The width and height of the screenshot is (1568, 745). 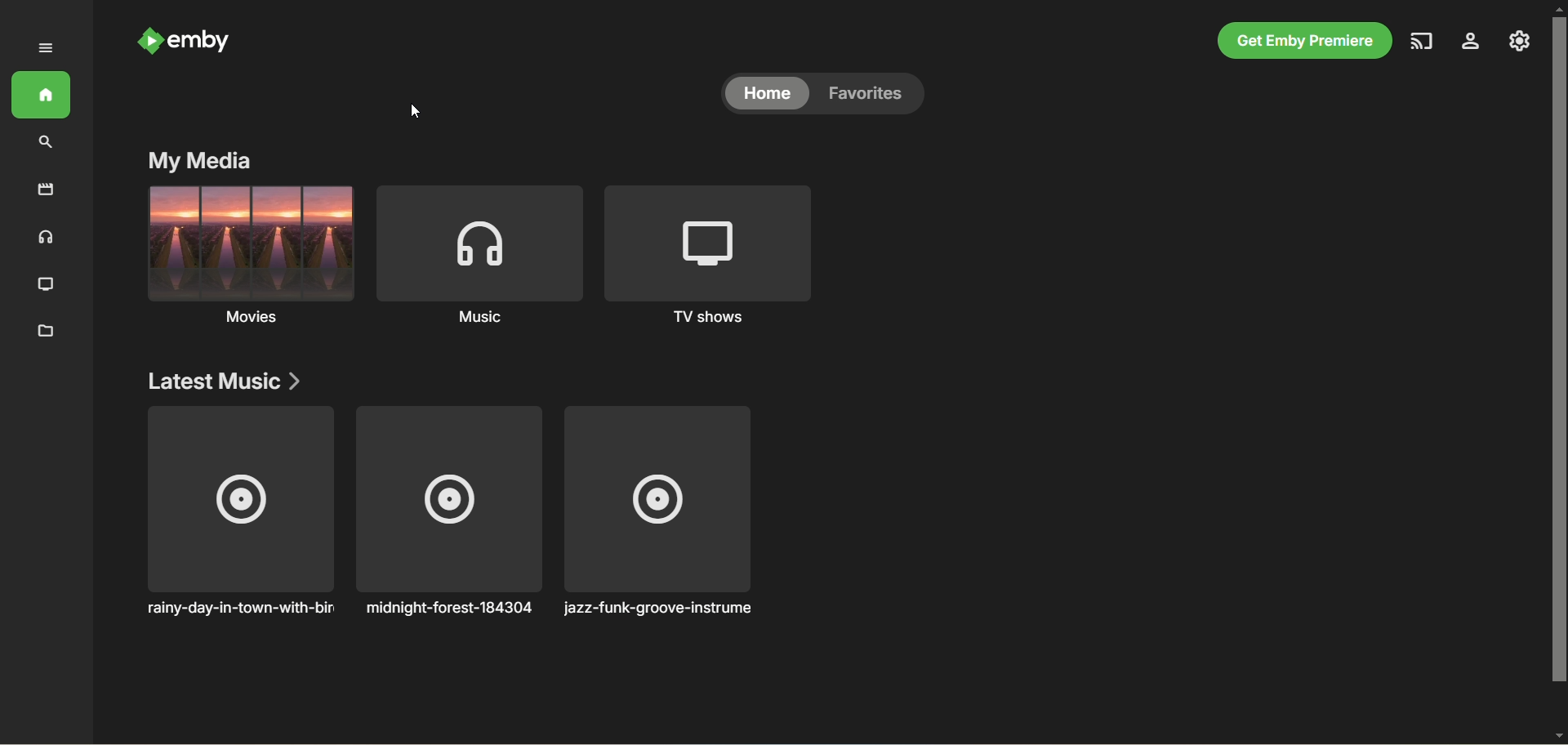 What do you see at coordinates (444, 515) in the screenshot?
I see `) midnight-forest-184304` at bounding box center [444, 515].